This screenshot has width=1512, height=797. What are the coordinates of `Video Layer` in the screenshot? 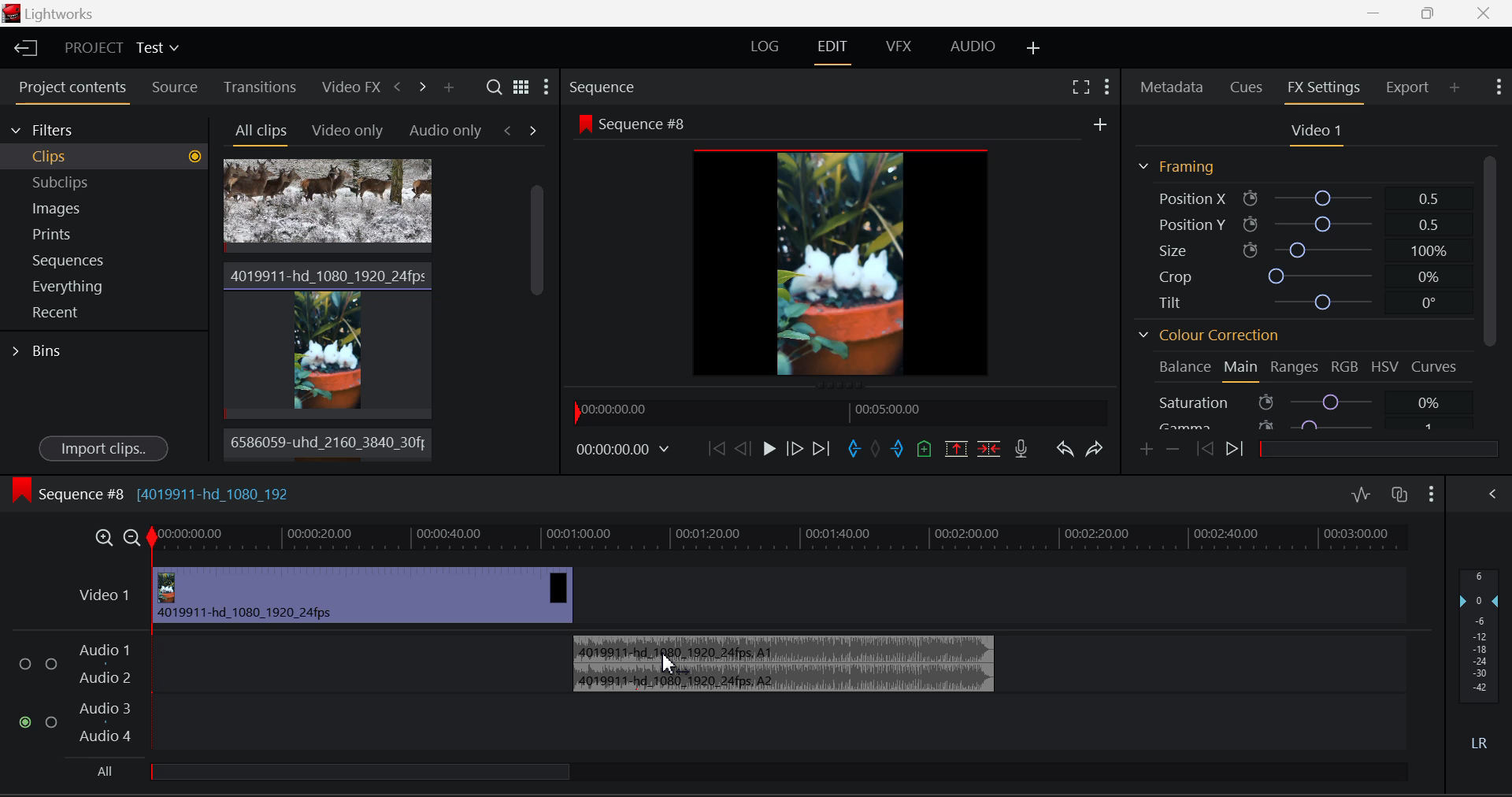 It's located at (106, 600).